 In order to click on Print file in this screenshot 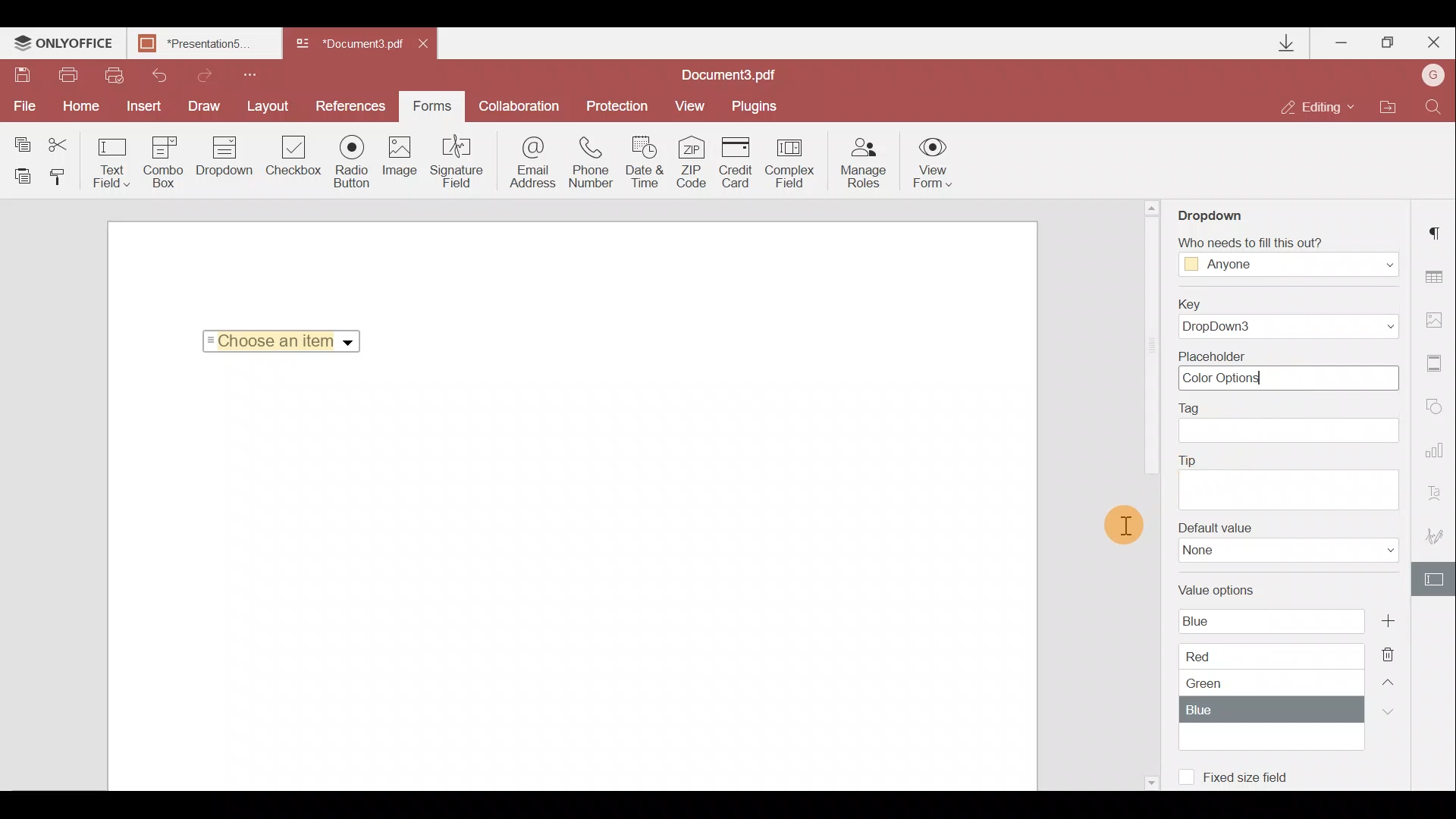, I will do `click(73, 75)`.